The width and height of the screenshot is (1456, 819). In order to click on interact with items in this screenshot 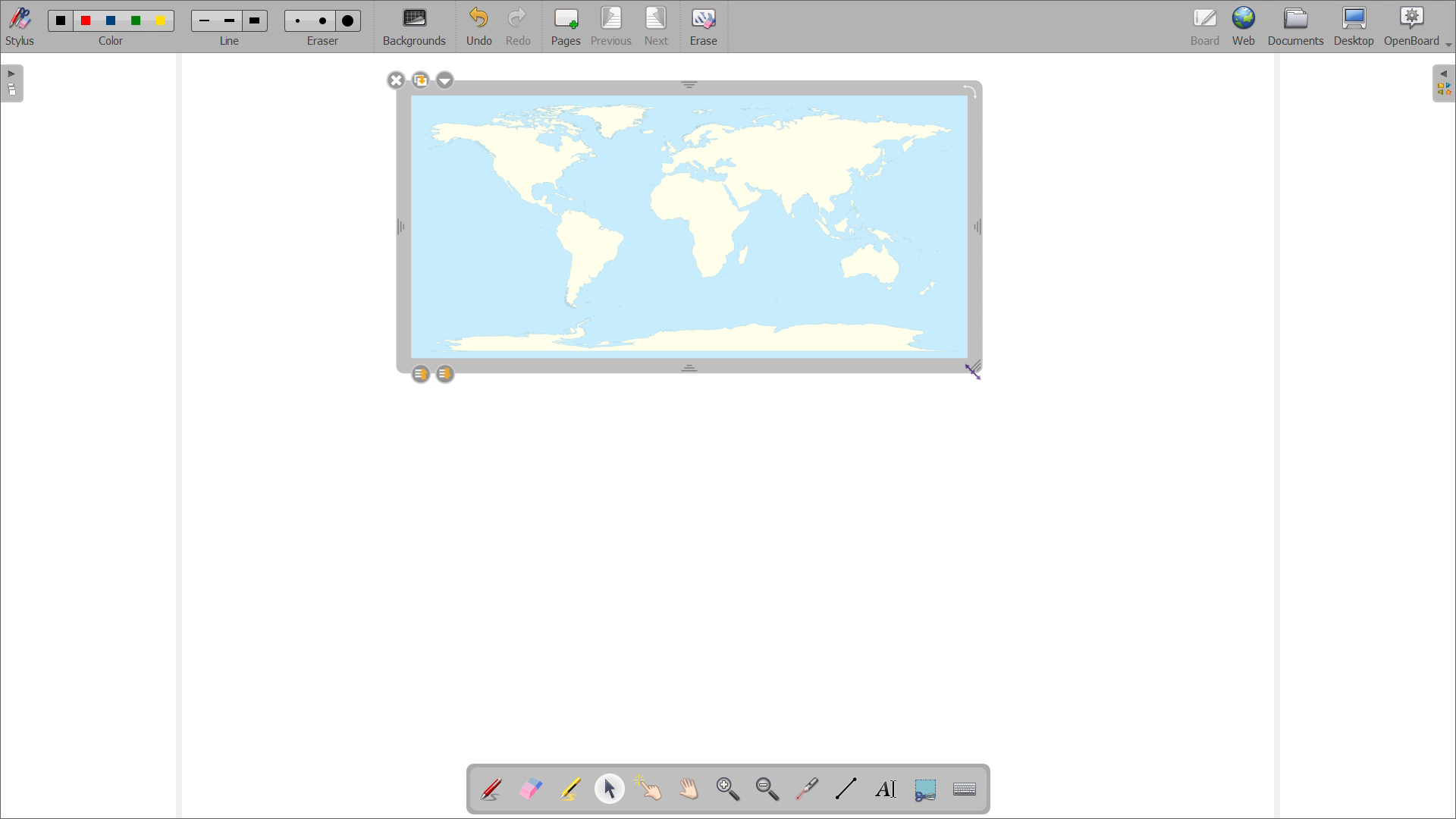, I will do `click(649, 789)`.